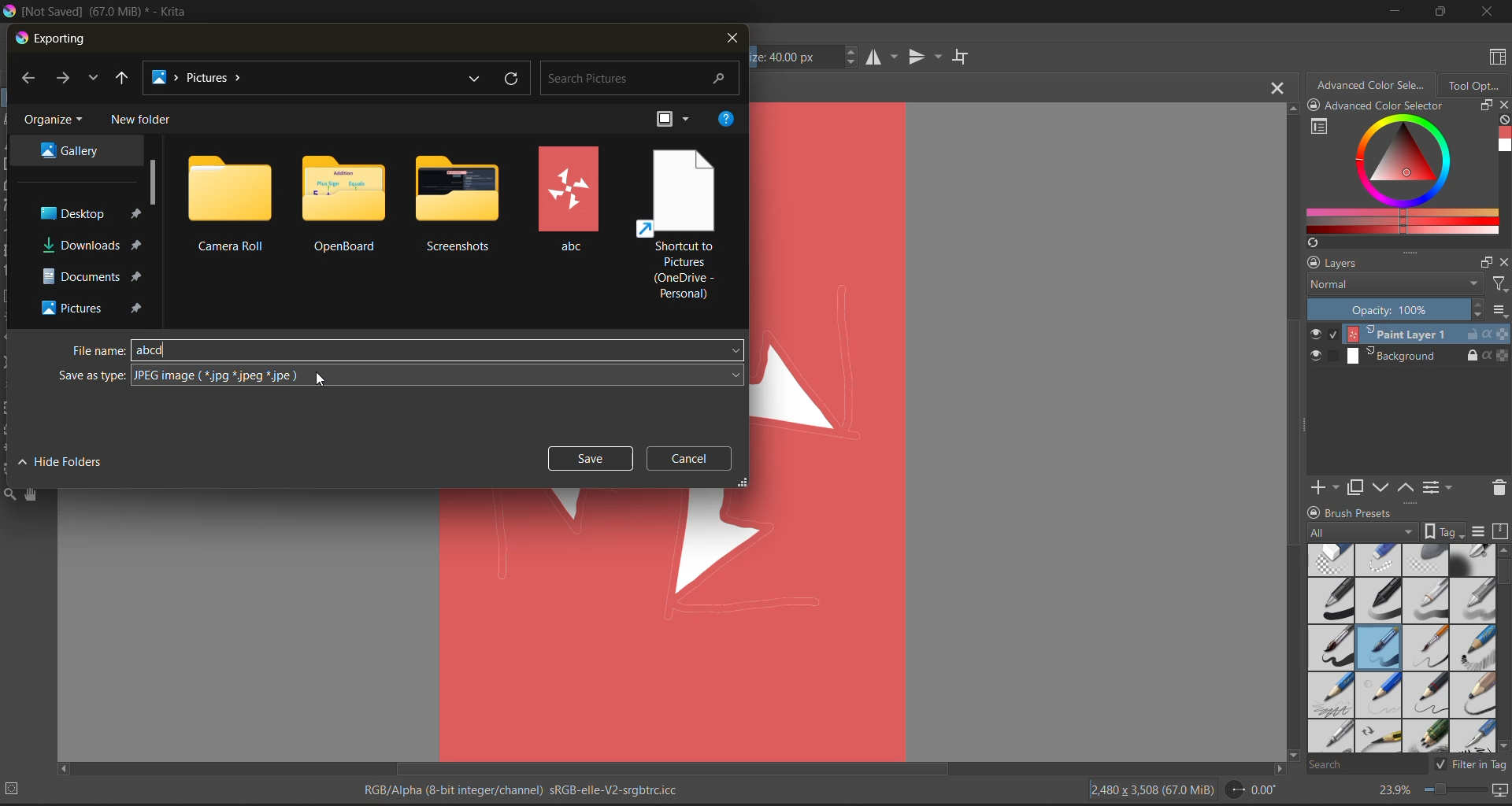 The height and width of the screenshot is (806, 1512). What do you see at coordinates (230, 202) in the screenshot?
I see `folders and files` at bounding box center [230, 202].